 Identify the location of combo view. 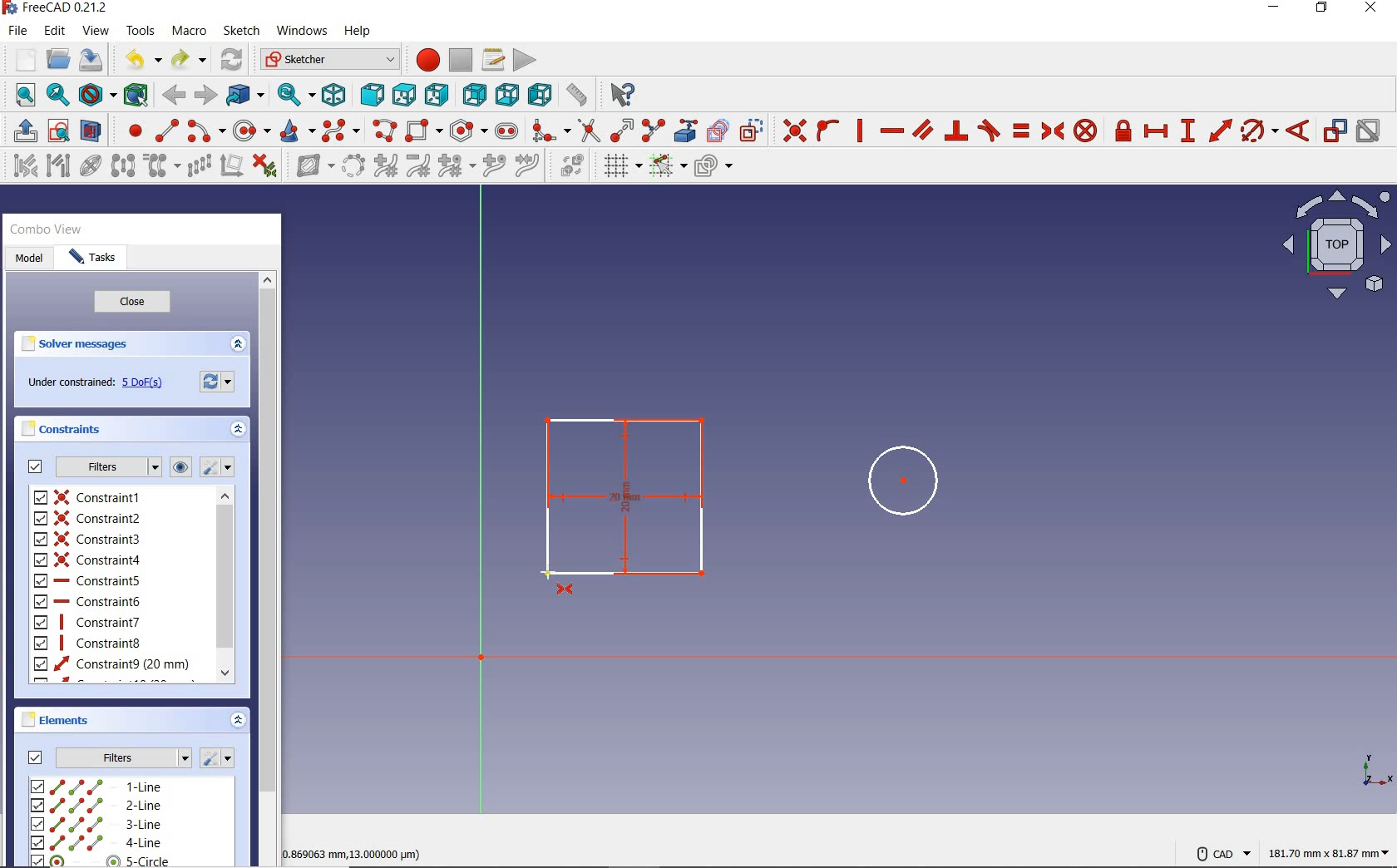
(45, 229).